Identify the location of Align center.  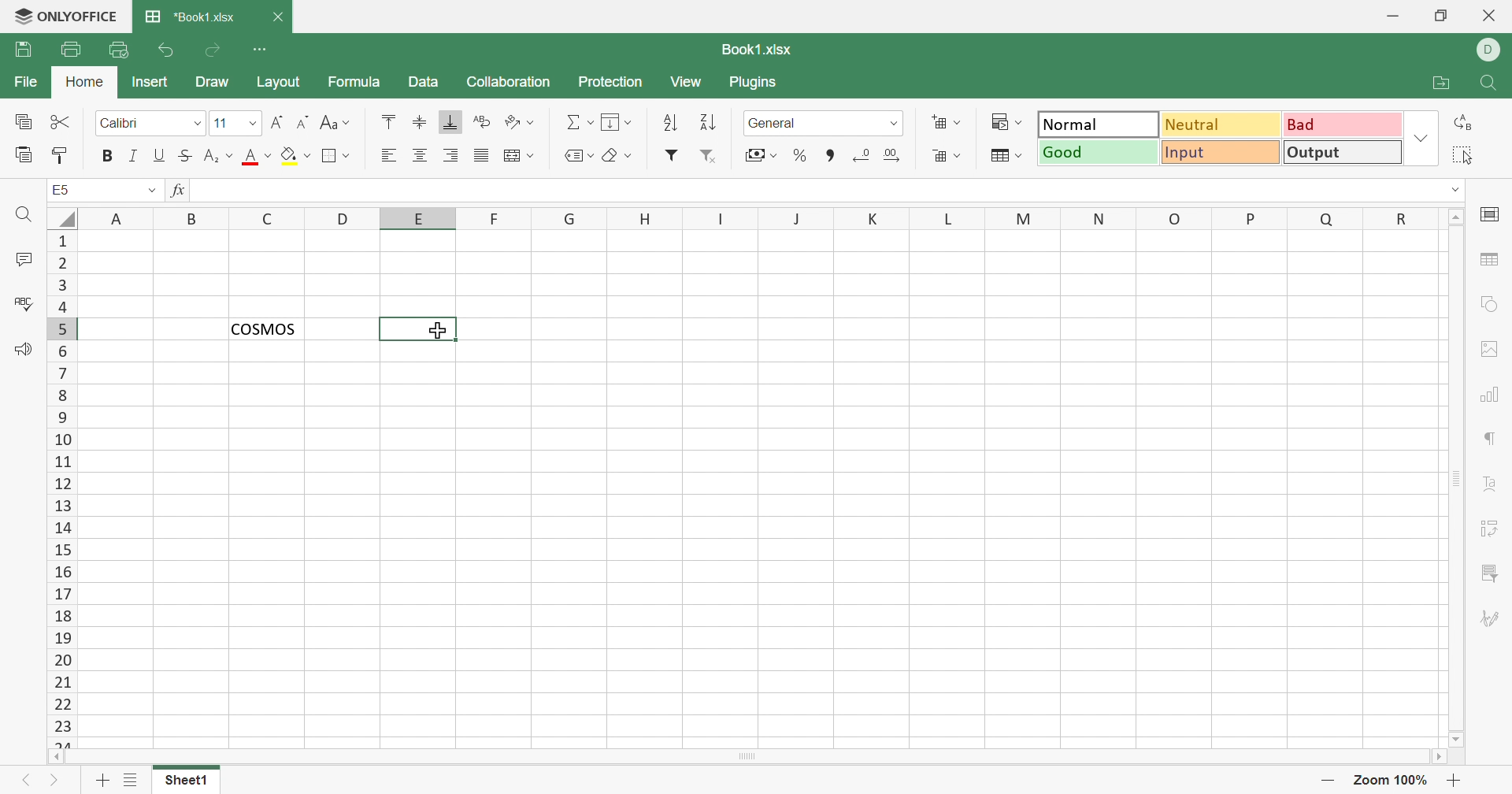
(420, 157).